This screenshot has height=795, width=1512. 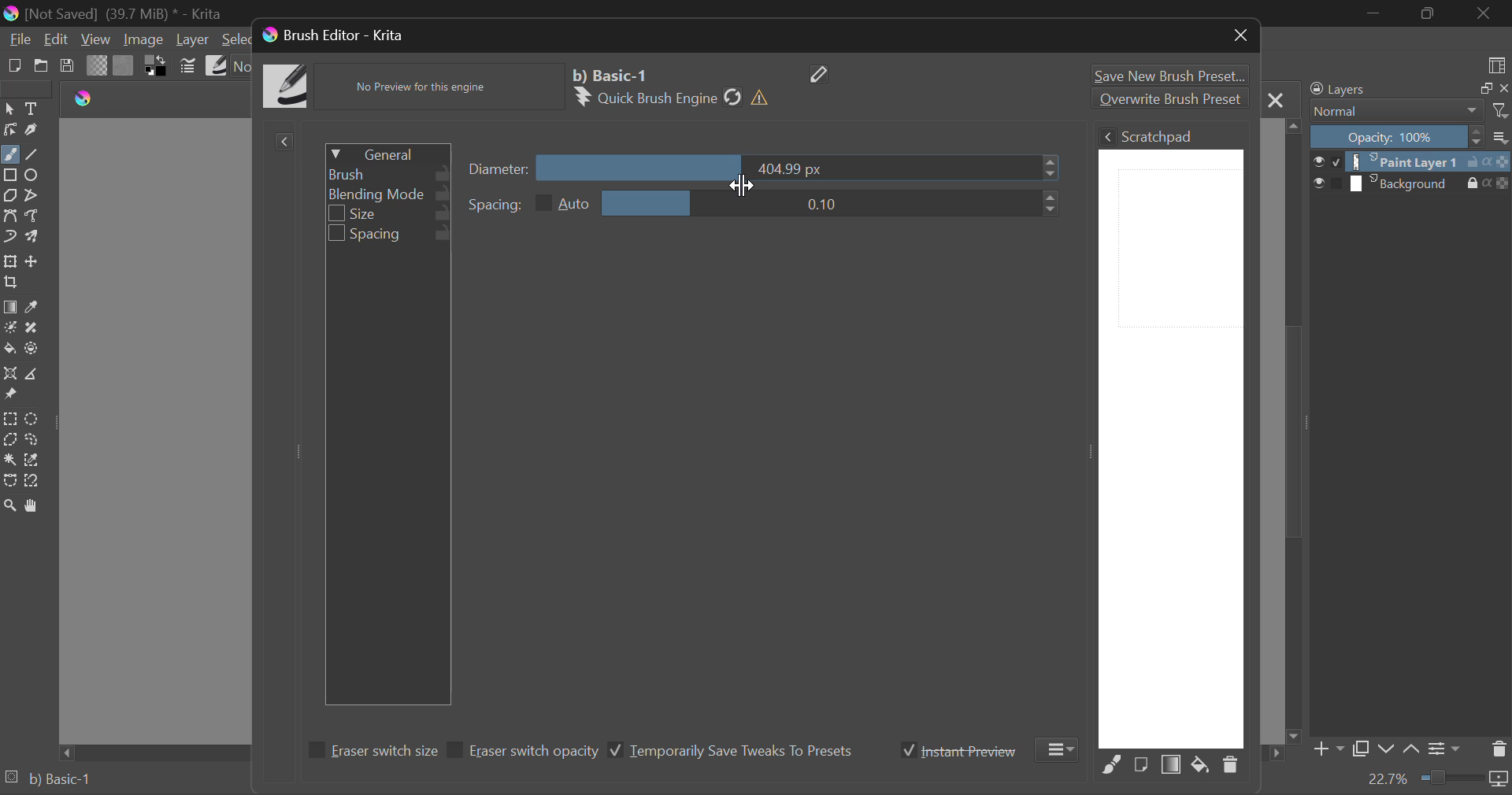 What do you see at coordinates (1446, 749) in the screenshot?
I see `Layer Settings` at bounding box center [1446, 749].